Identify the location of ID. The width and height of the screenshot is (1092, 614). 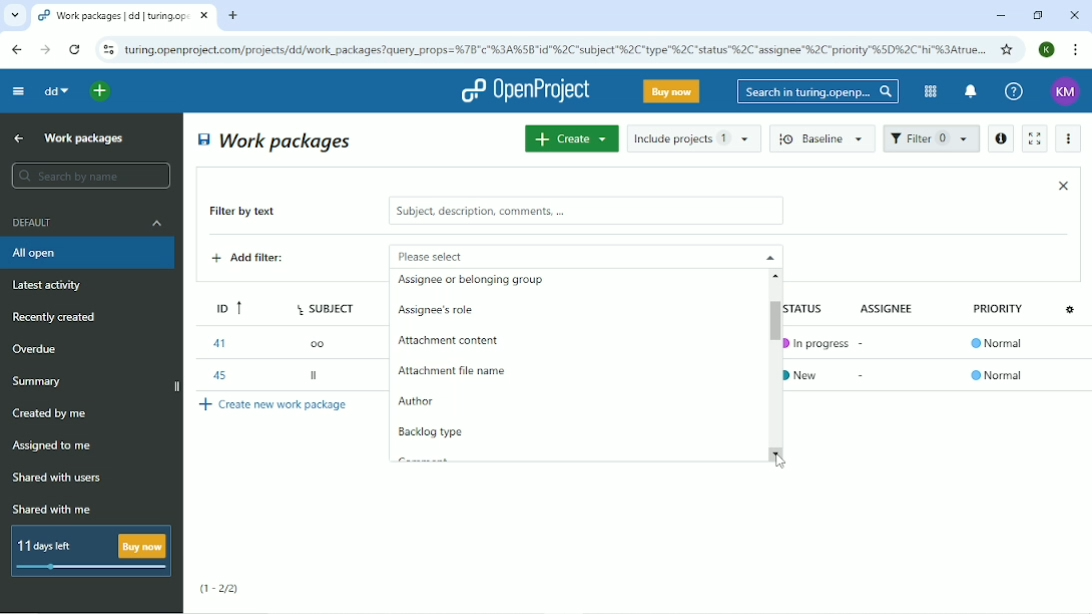
(223, 305).